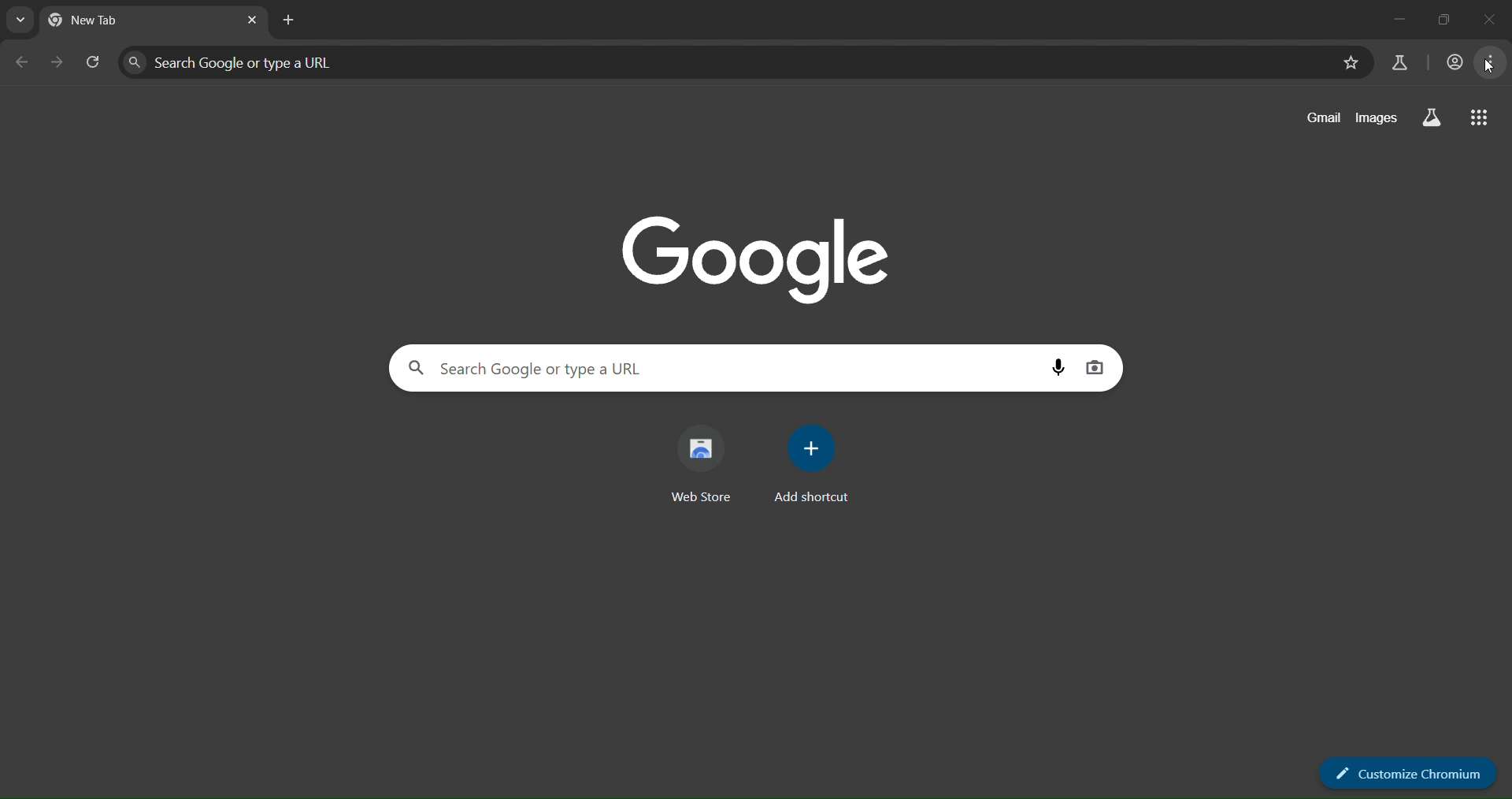  Describe the element at coordinates (1410, 771) in the screenshot. I see `customize chromium` at that location.